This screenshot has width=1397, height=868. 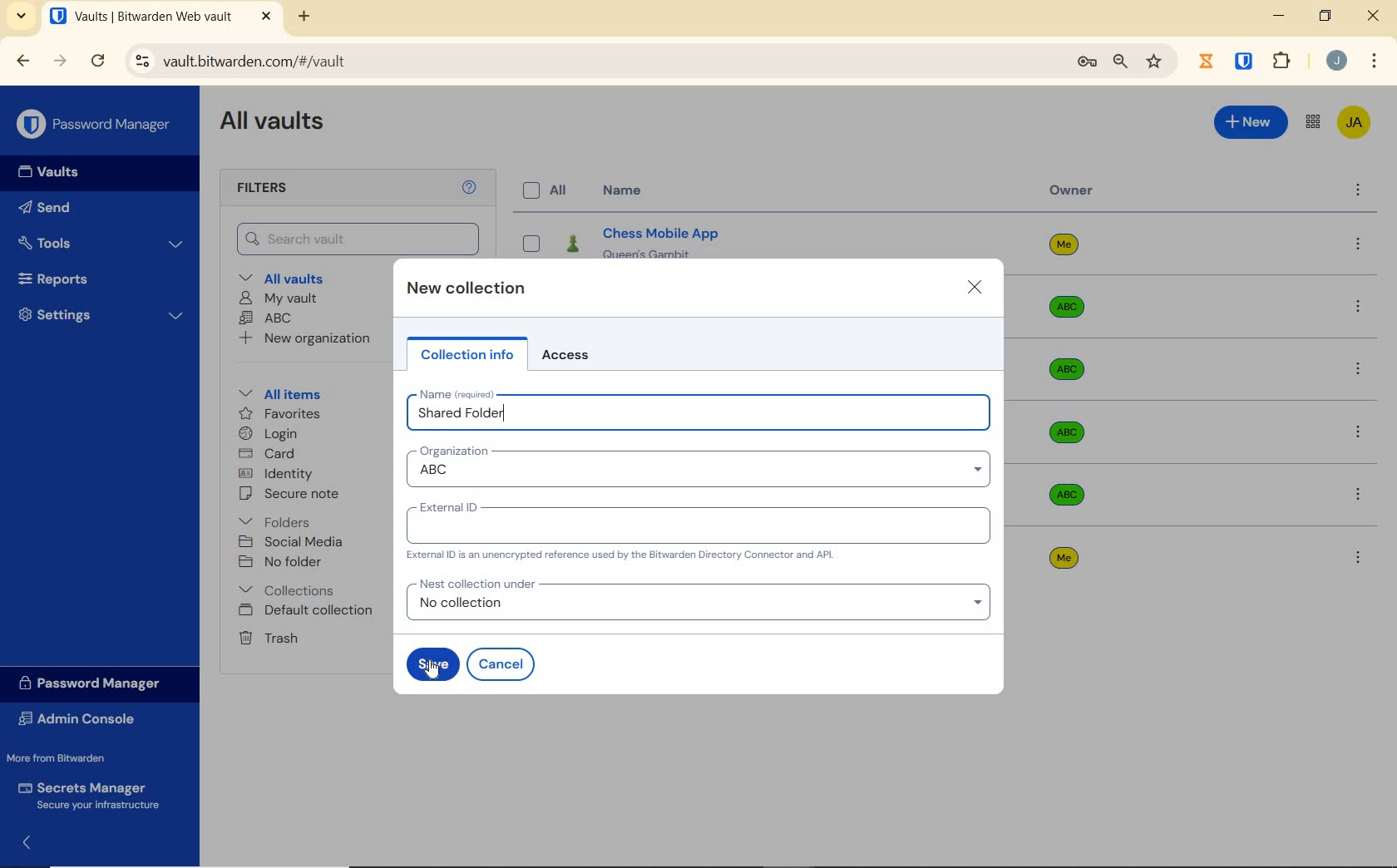 What do you see at coordinates (296, 542) in the screenshot?
I see `social media` at bounding box center [296, 542].